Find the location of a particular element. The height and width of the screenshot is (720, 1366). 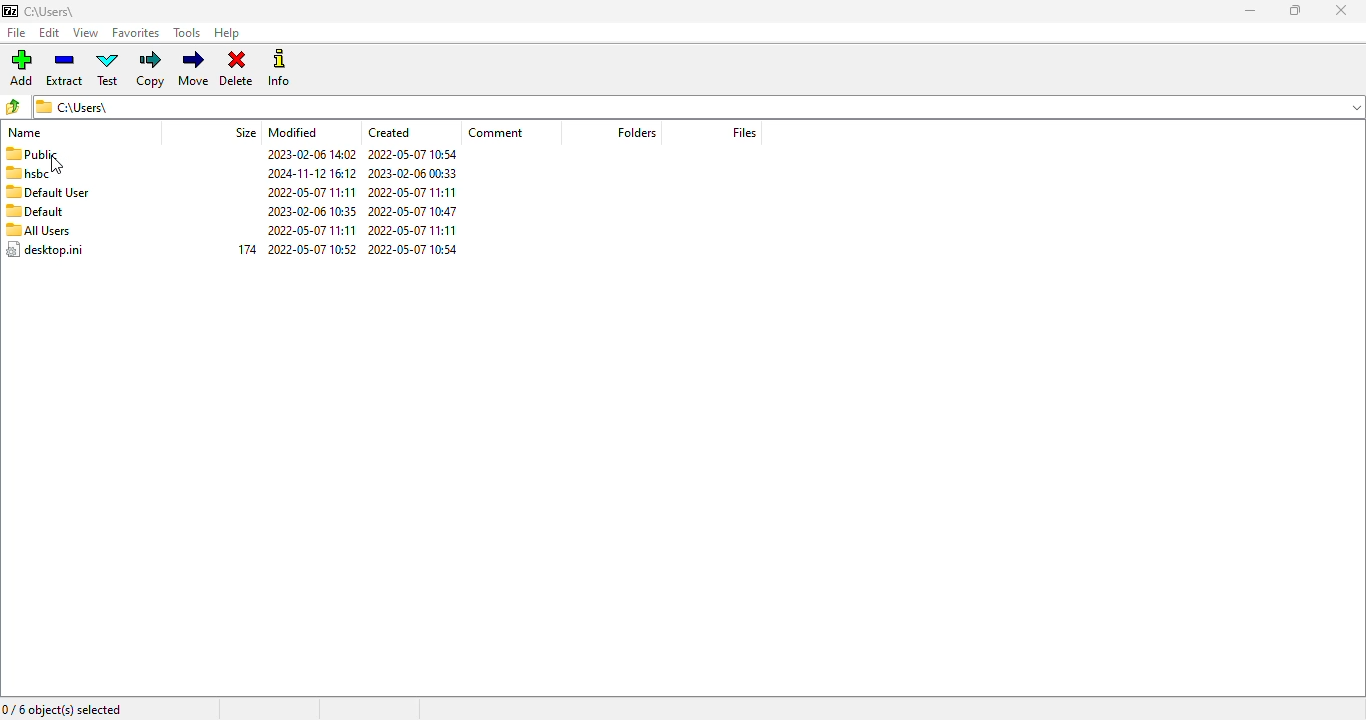

all users is located at coordinates (38, 229).